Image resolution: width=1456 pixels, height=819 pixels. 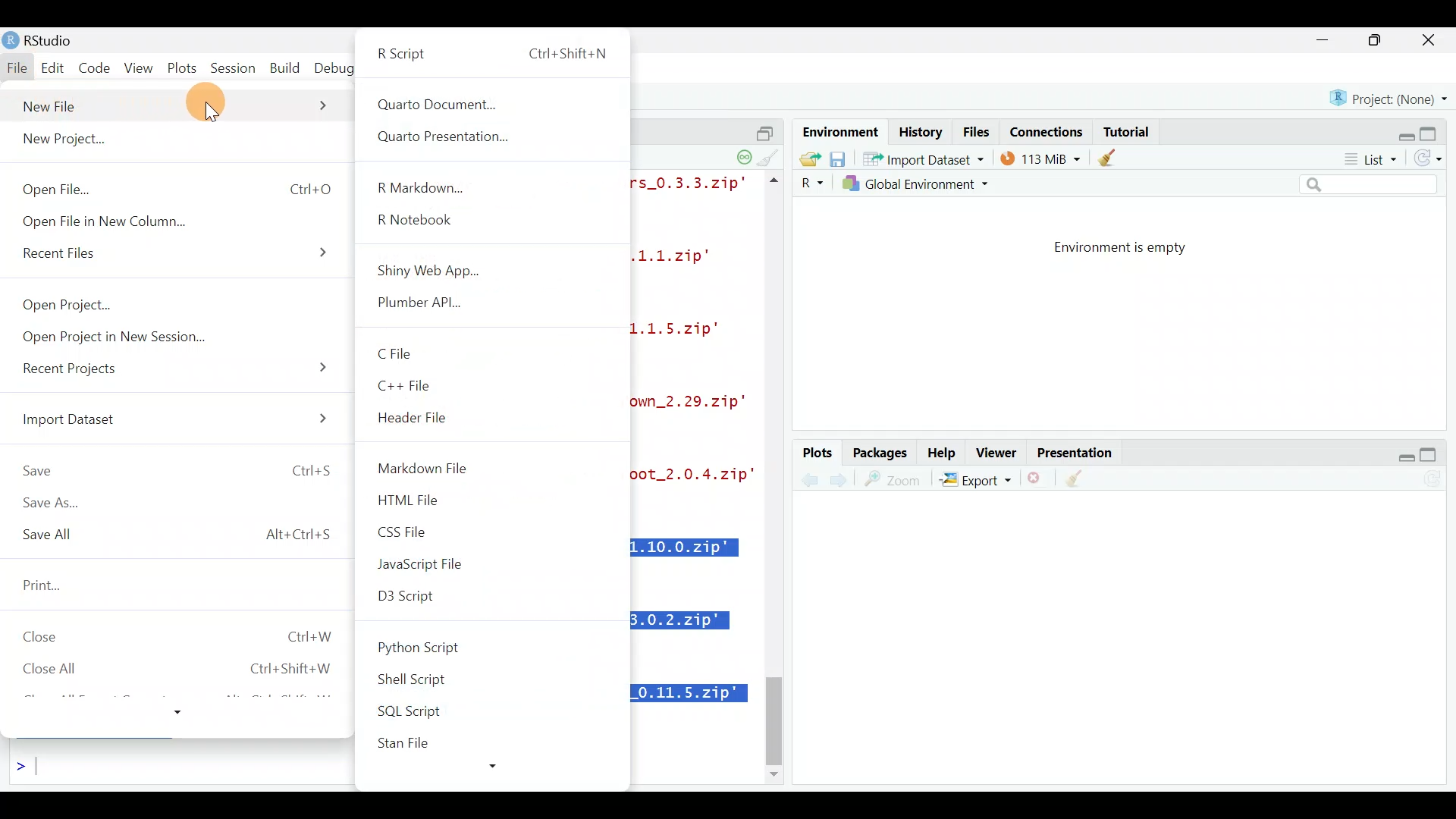 What do you see at coordinates (1437, 480) in the screenshot?
I see `Refresh current plot` at bounding box center [1437, 480].